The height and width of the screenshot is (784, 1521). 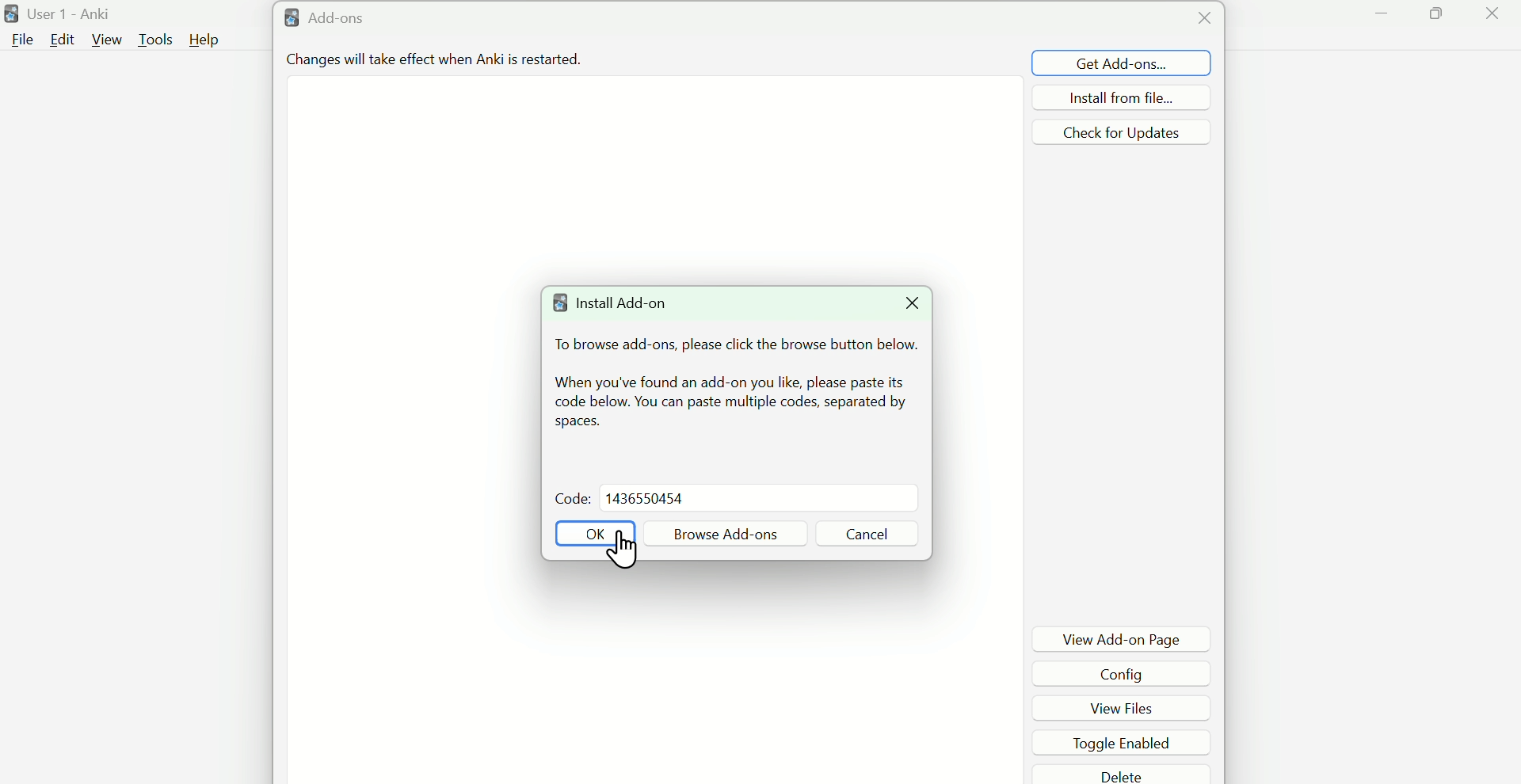 I want to click on To browse add-ons, please click the browse button below.
When you've found an add-on you like, please paste its
code below. You can paste multiple codes, separated by
spaces., so click(x=735, y=386).